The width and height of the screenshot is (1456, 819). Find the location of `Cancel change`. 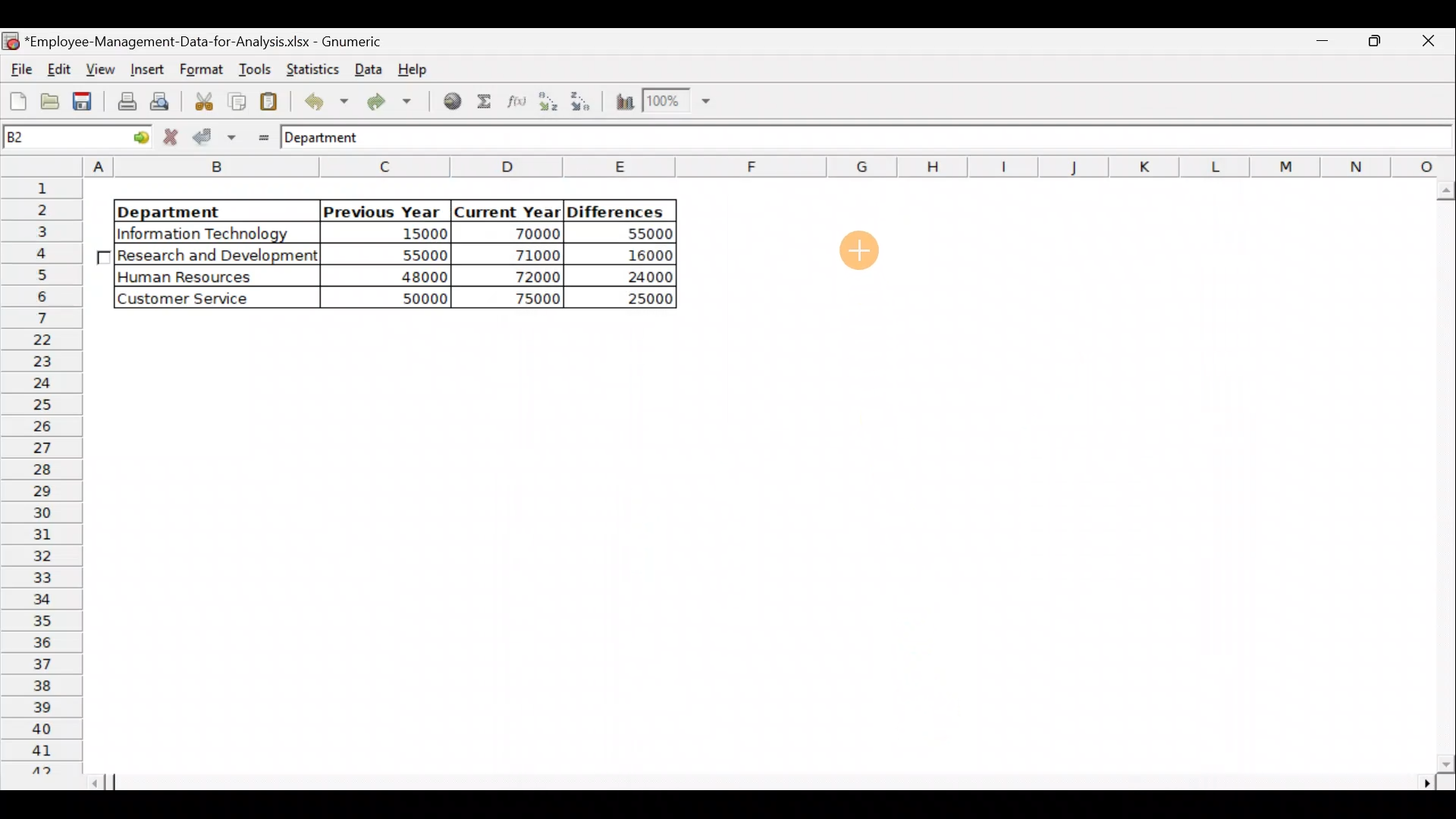

Cancel change is located at coordinates (172, 138).